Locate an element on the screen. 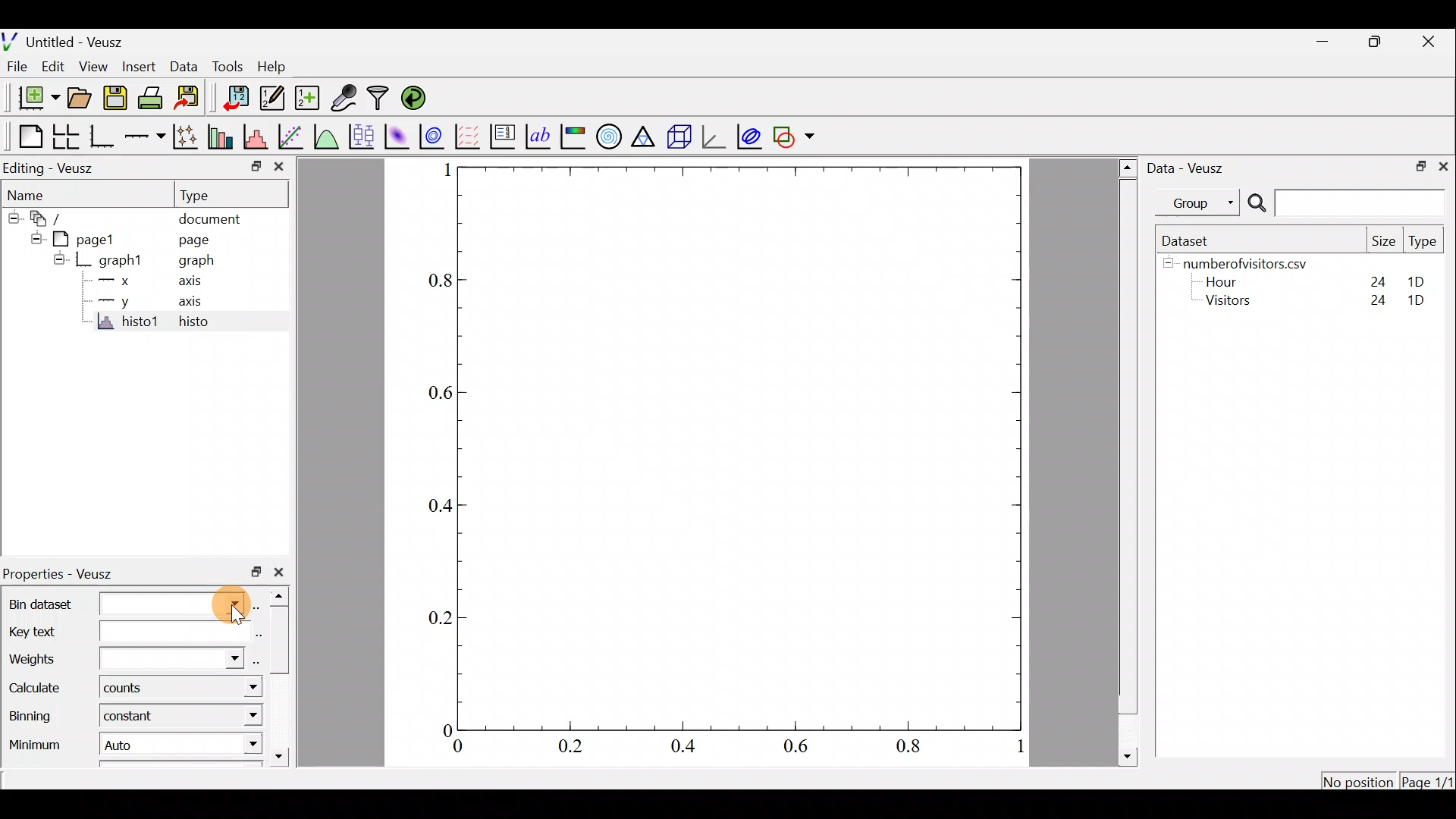 The height and width of the screenshot is (819, 1456). Dataset is located at coordinates (1195, 240).